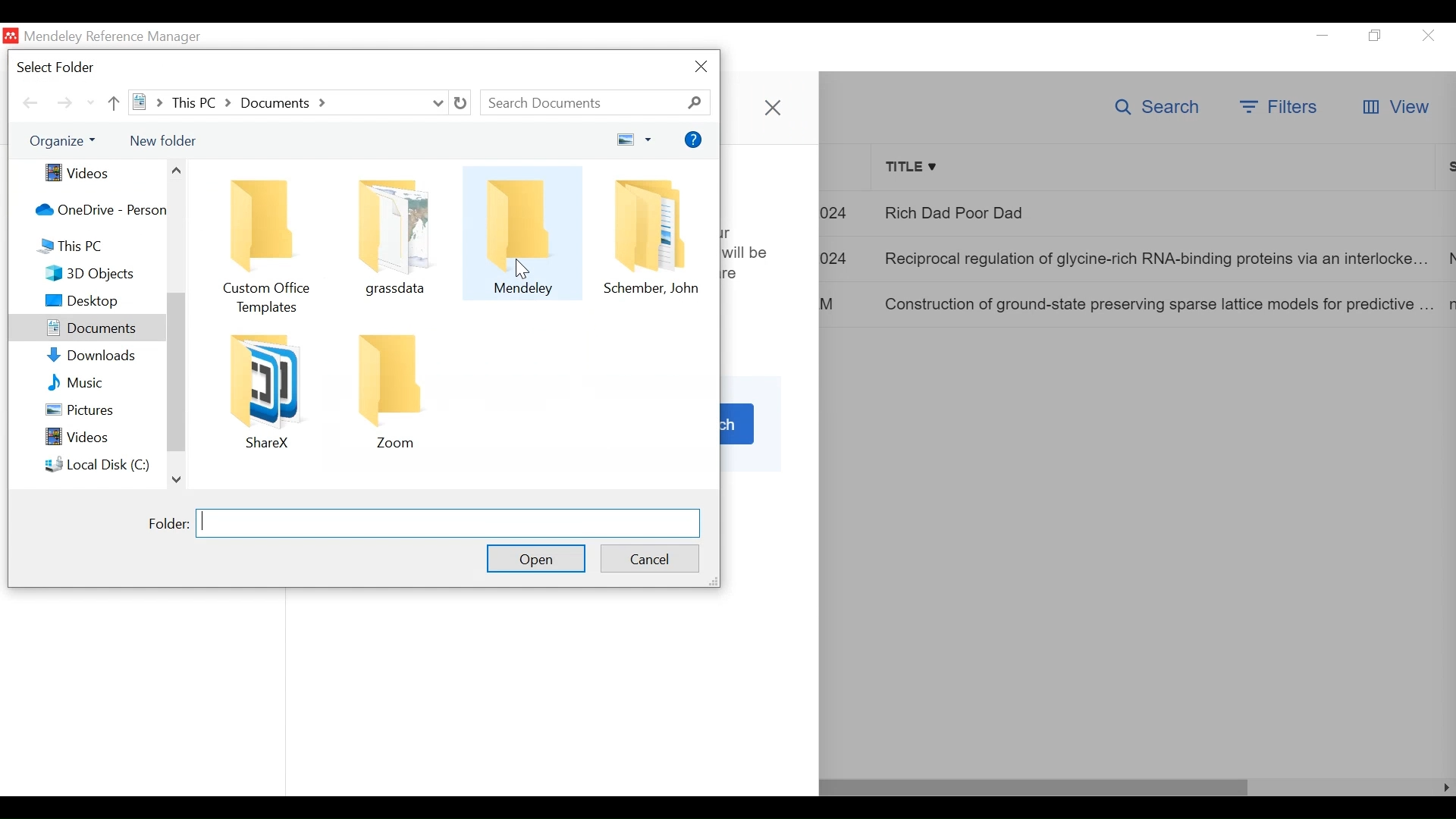 This screenshot has height=819, width=1456. I want to click on Videos, so click(99, 437).